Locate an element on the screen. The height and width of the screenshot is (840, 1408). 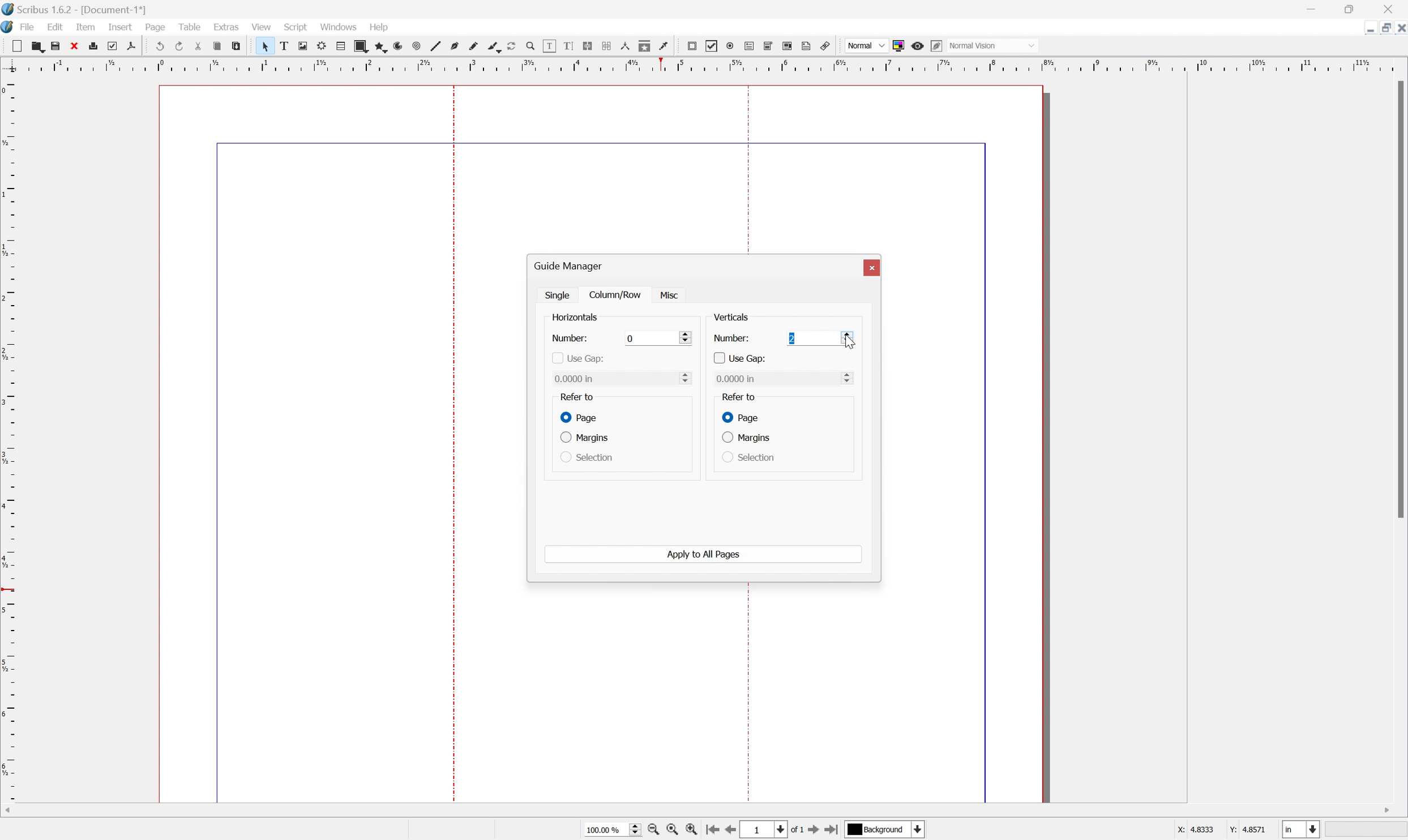
go to last is located at coordinates (832, 832).